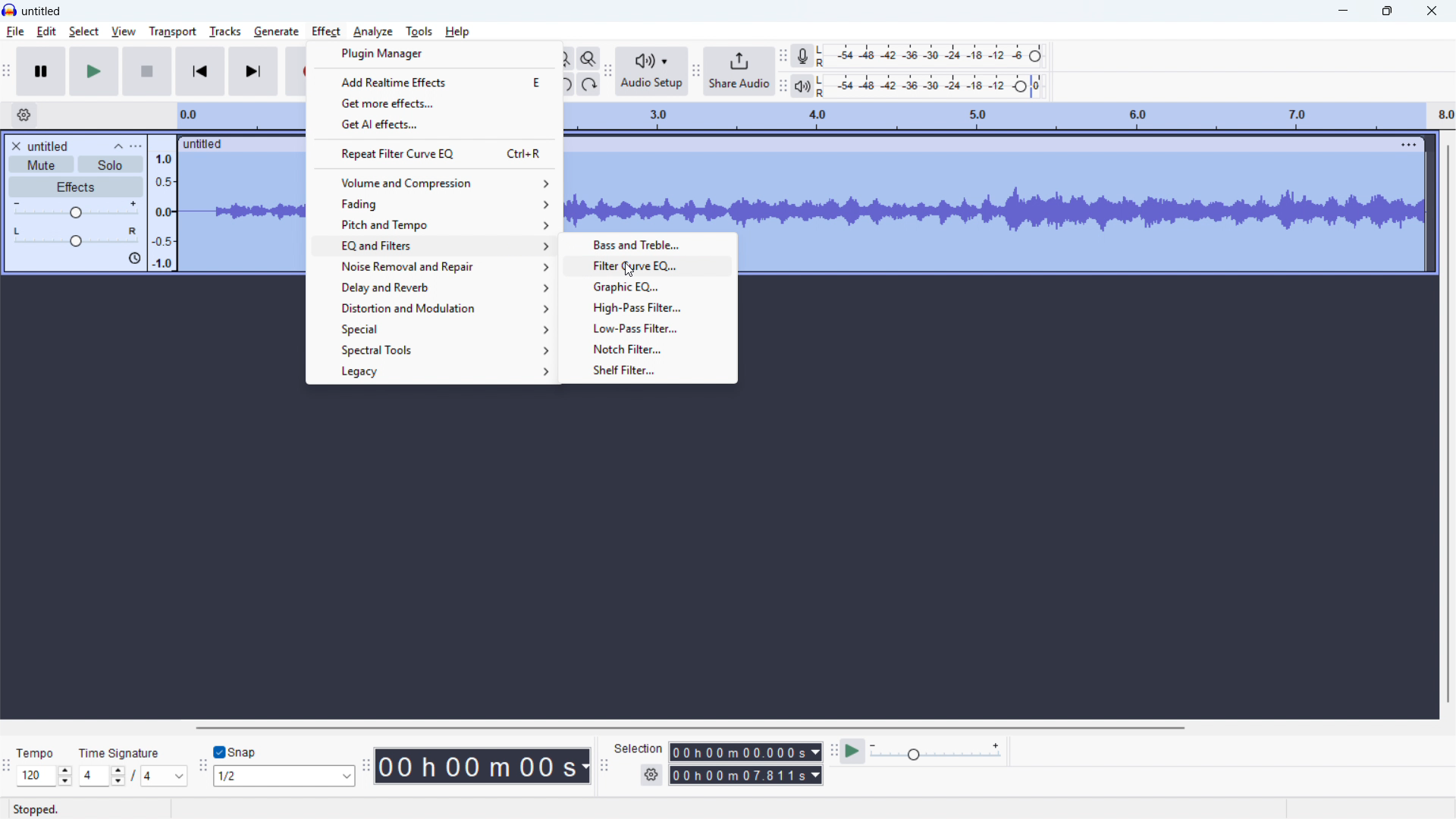 Image resolution: width=1456 pixels, height=819 pixels. Describe the element at coordinates (981, 143) in the screenshot. I see `Click to drag ` at that location.